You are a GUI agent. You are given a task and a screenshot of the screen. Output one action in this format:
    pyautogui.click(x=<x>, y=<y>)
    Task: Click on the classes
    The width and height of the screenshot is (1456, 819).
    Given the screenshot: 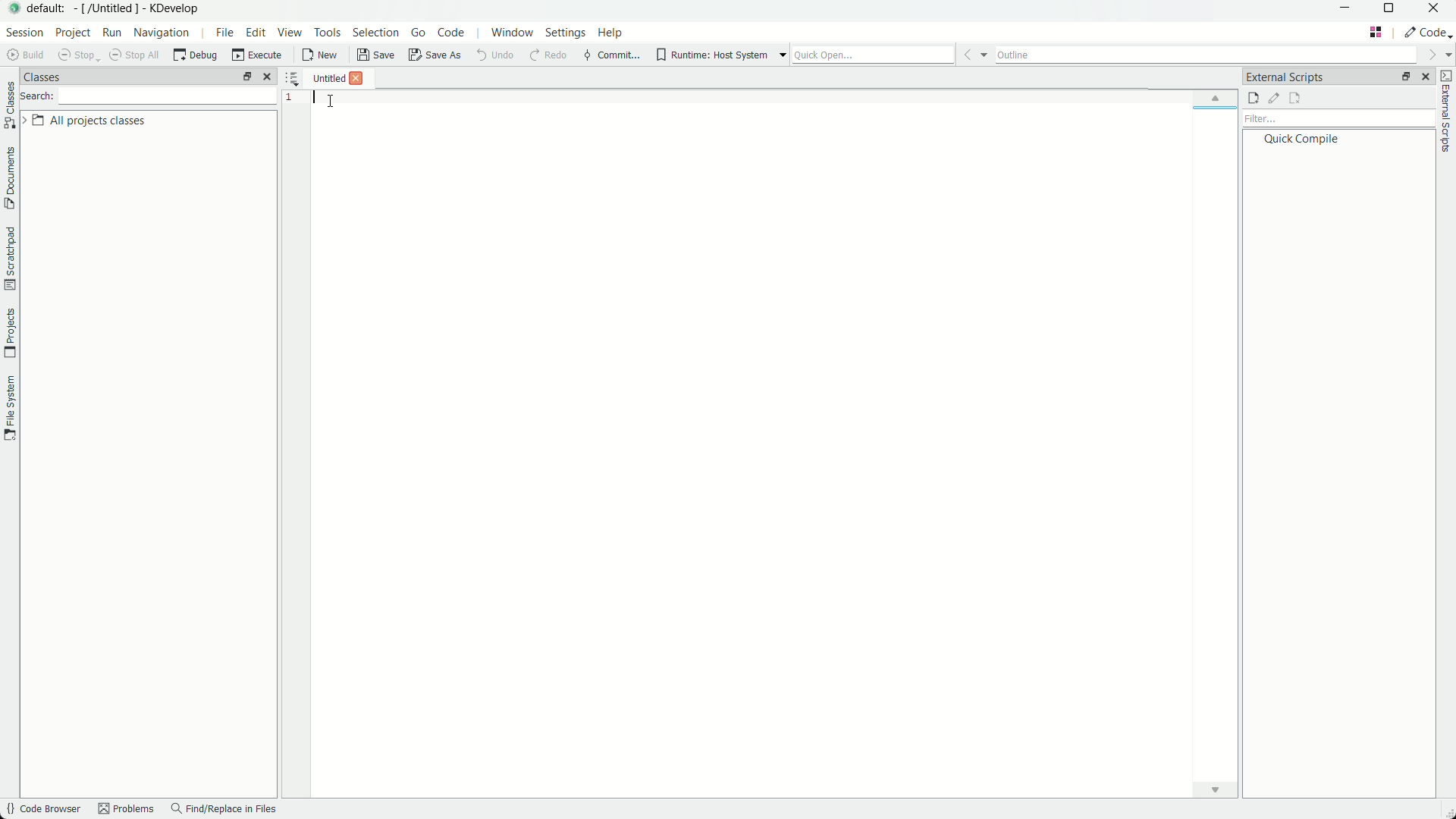 What is the action you would take?
    pyautogui.click(x=9, y=105)
    